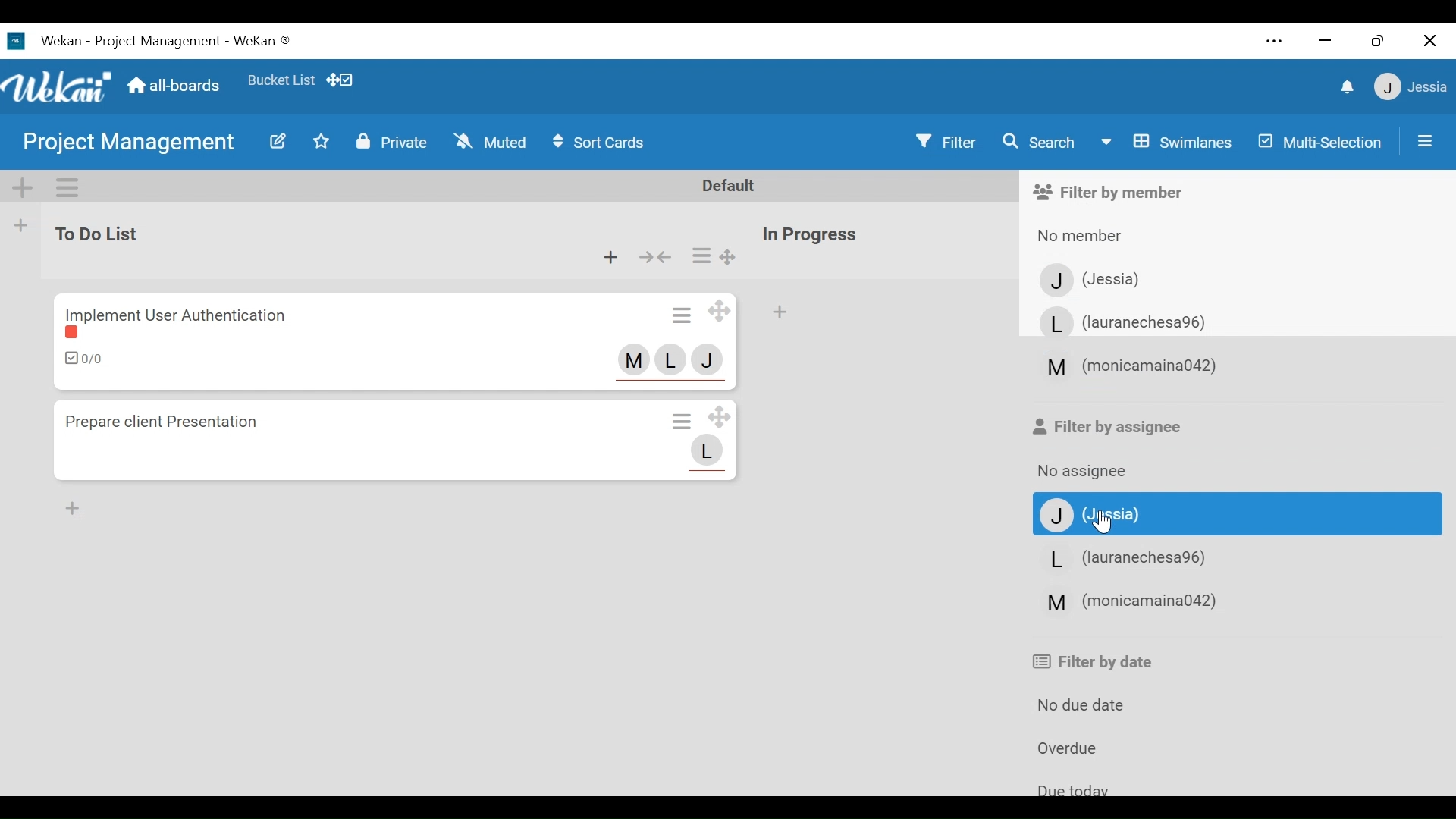 Image resolution: width=1456 pixels, height=819 pixels. I want to click on Add Swiimlane, so click(24, 187).